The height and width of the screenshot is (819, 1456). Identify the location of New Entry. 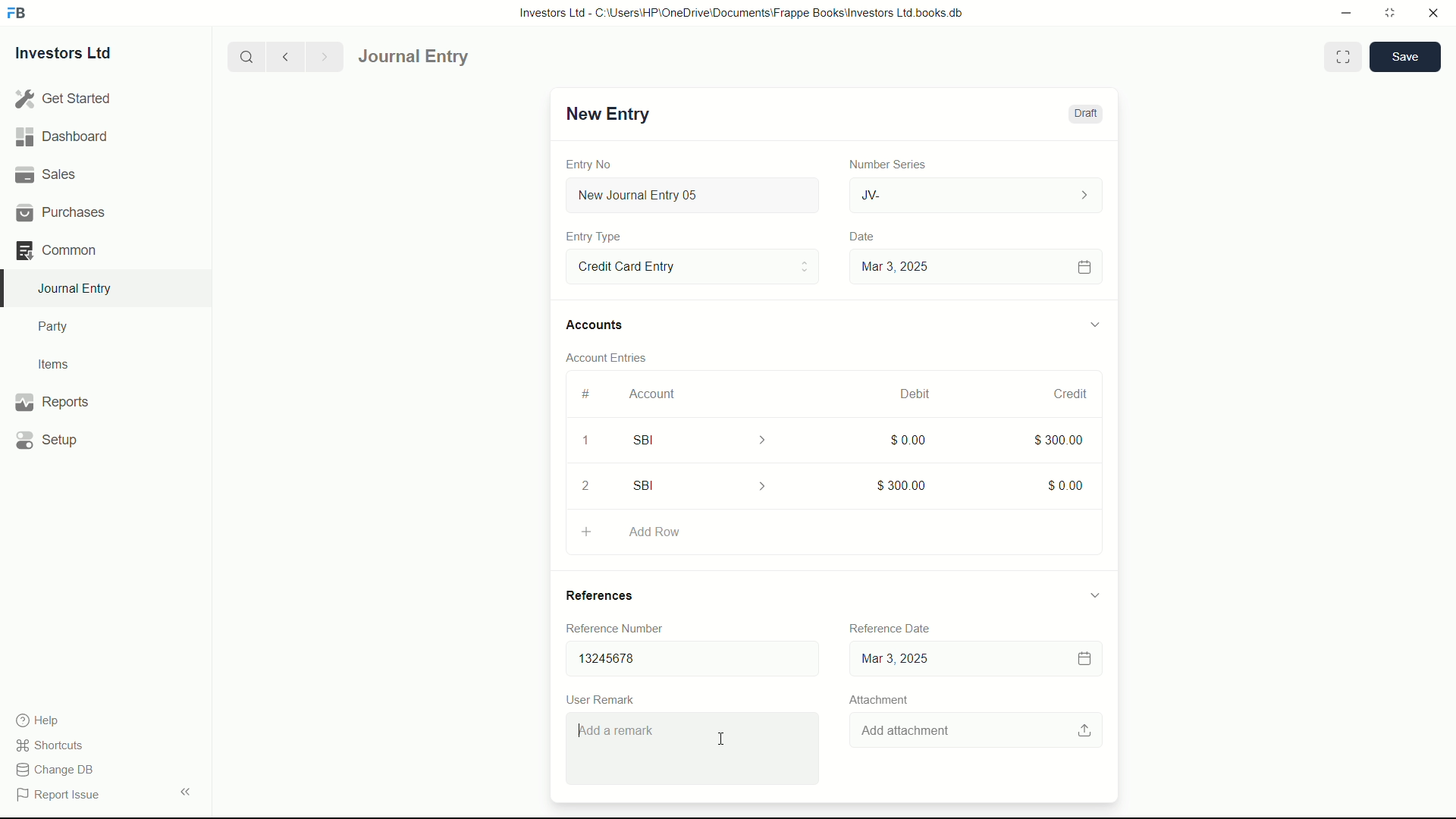
(605, 114).